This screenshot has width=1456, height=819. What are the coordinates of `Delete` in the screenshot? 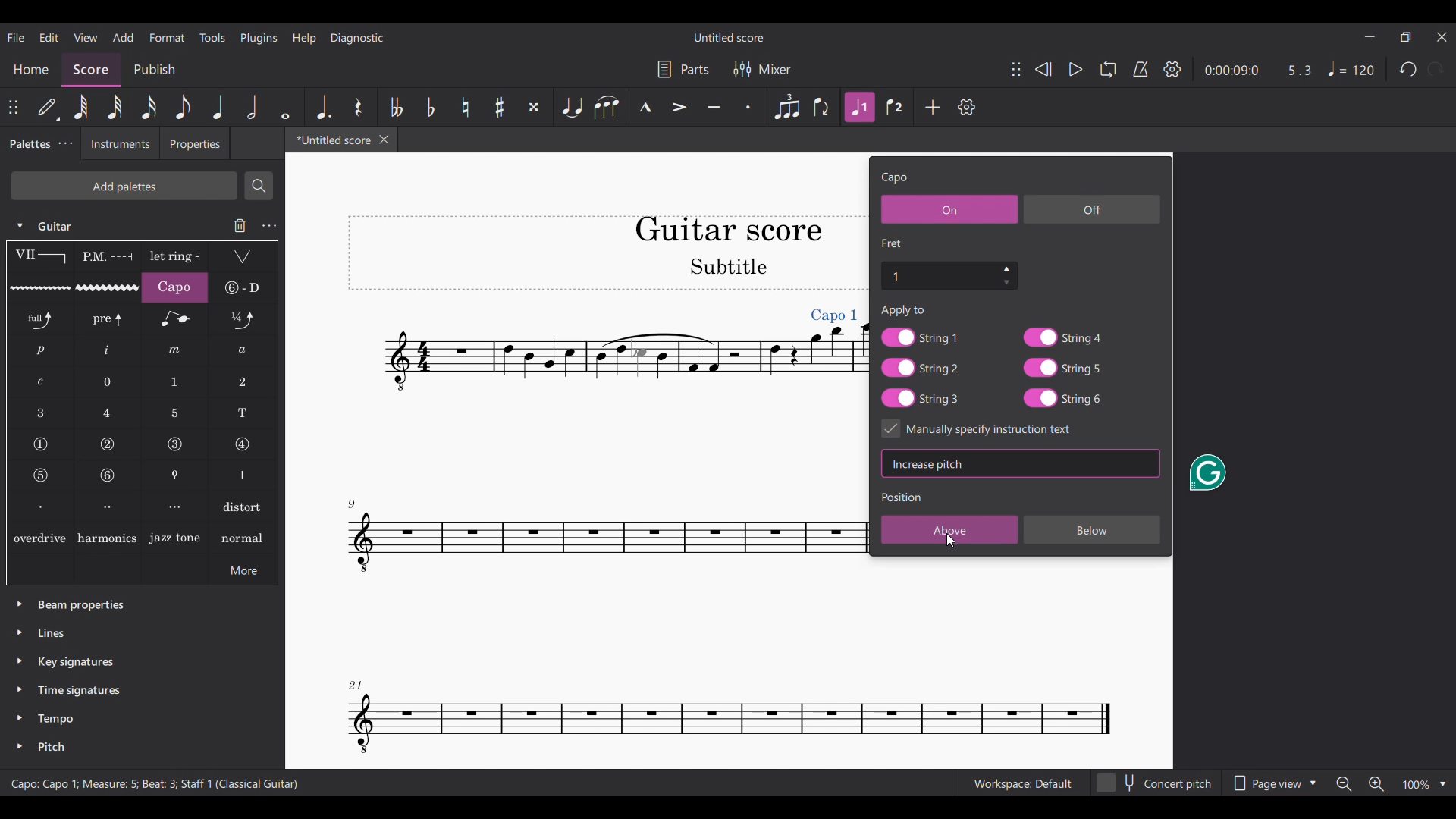 It's located at (240, 225).